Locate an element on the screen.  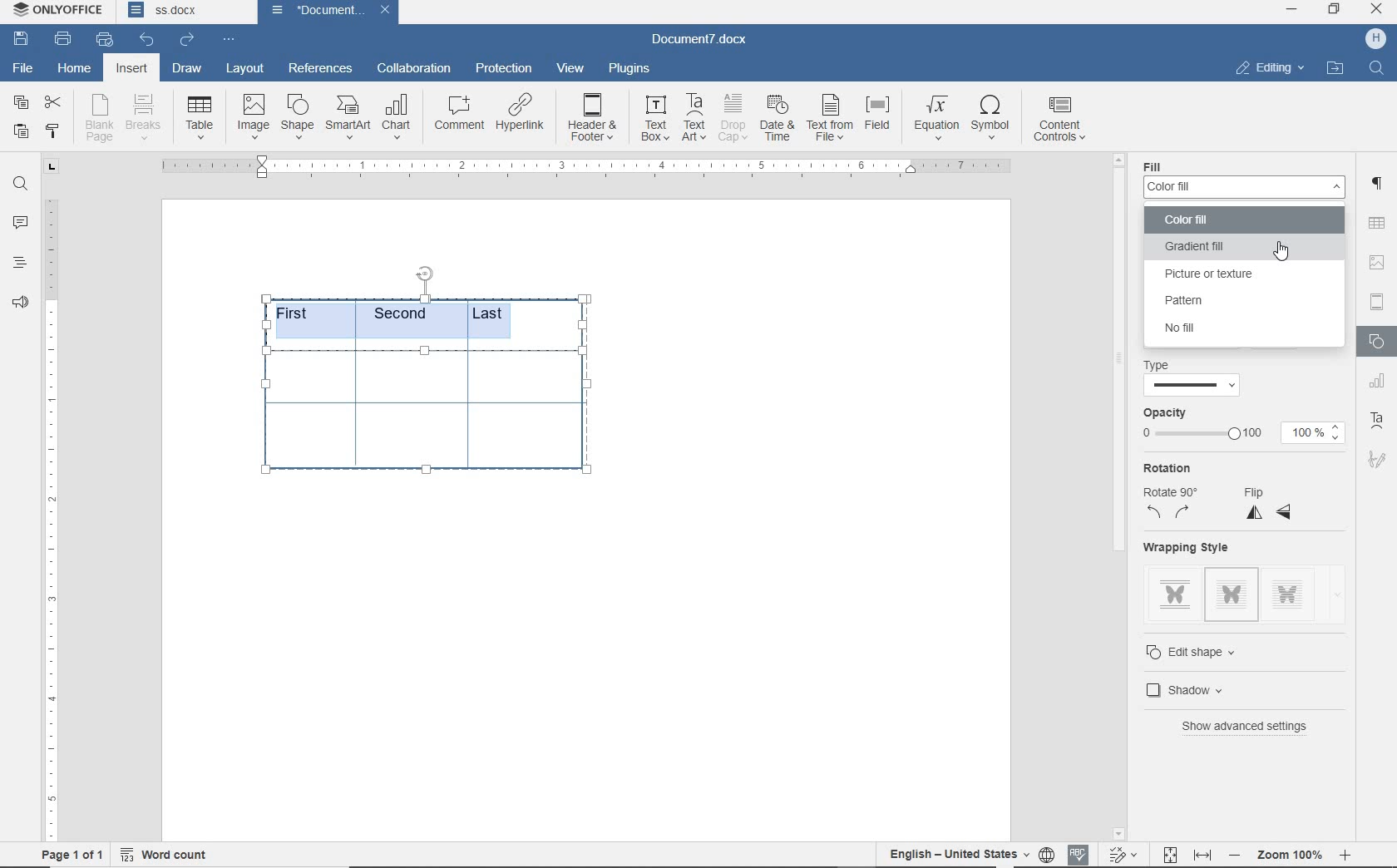
color fill is located at coordinates (1247, 220).